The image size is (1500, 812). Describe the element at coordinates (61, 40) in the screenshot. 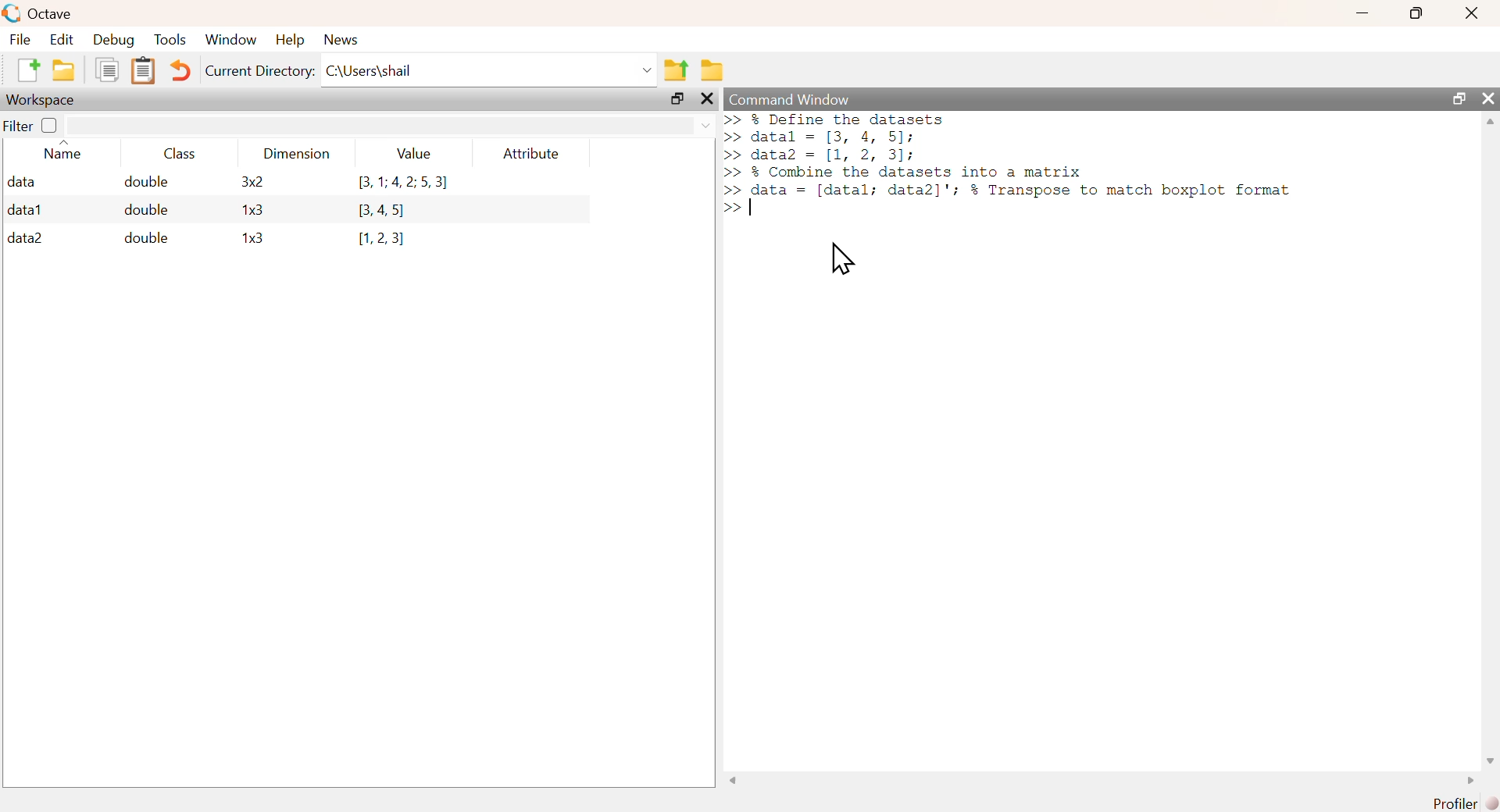

I see `Edit` at that location.